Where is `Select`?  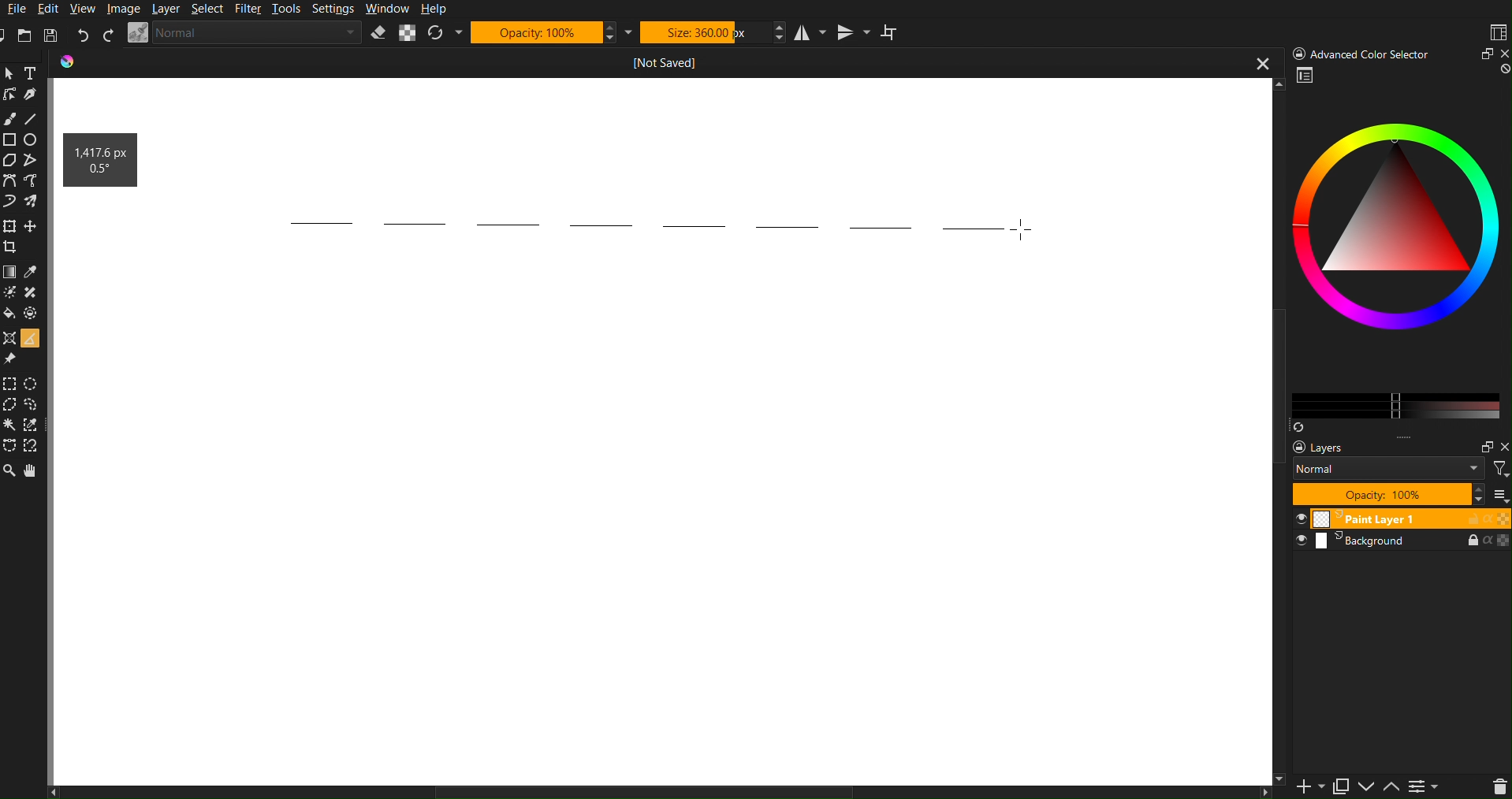
Select is located at coordinates (210, 9).